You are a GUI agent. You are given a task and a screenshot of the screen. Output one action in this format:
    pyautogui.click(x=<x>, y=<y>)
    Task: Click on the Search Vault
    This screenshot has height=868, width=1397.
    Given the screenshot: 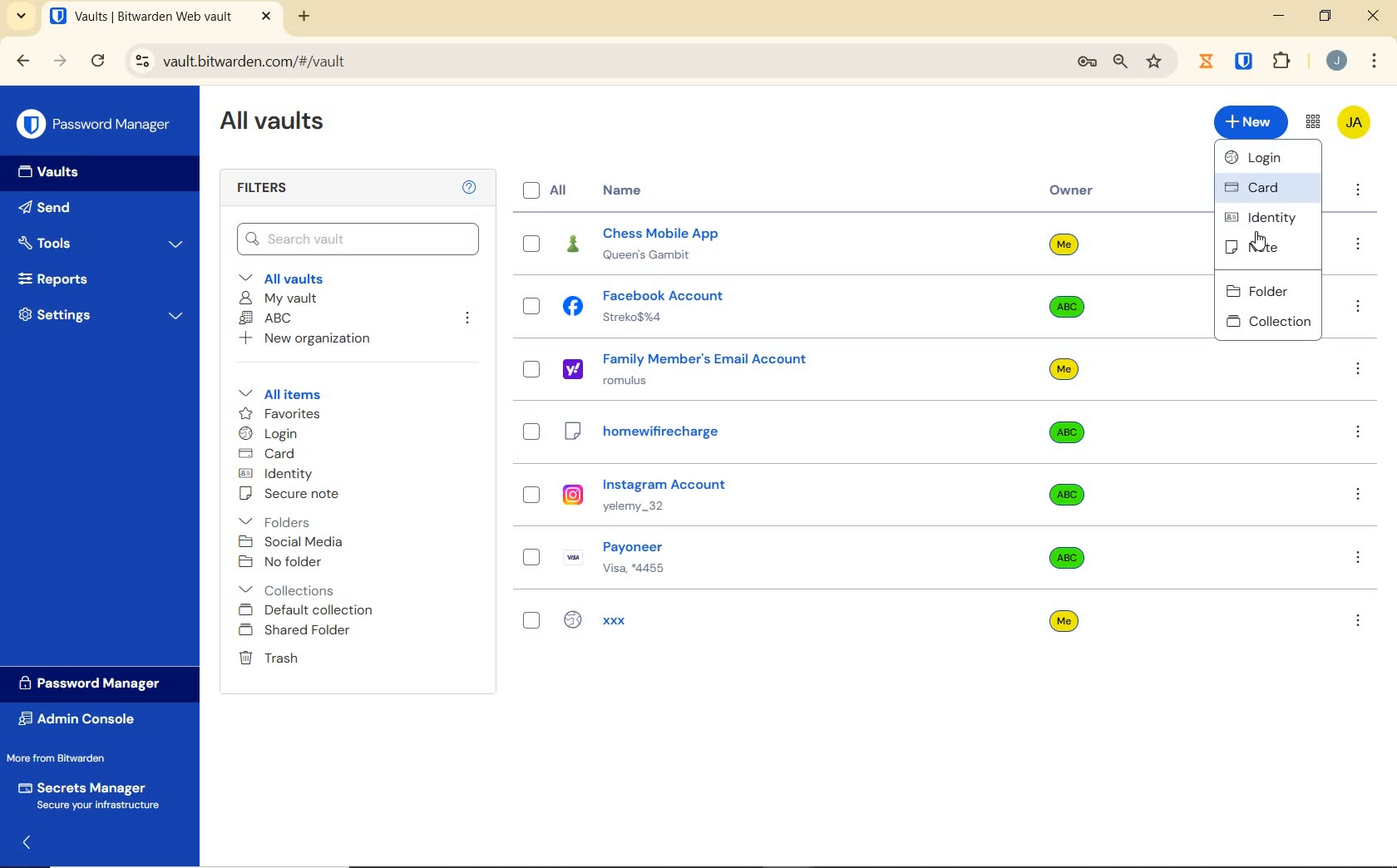 What is the action you would take?
    pyautogui.click(x=358, y=238)
    